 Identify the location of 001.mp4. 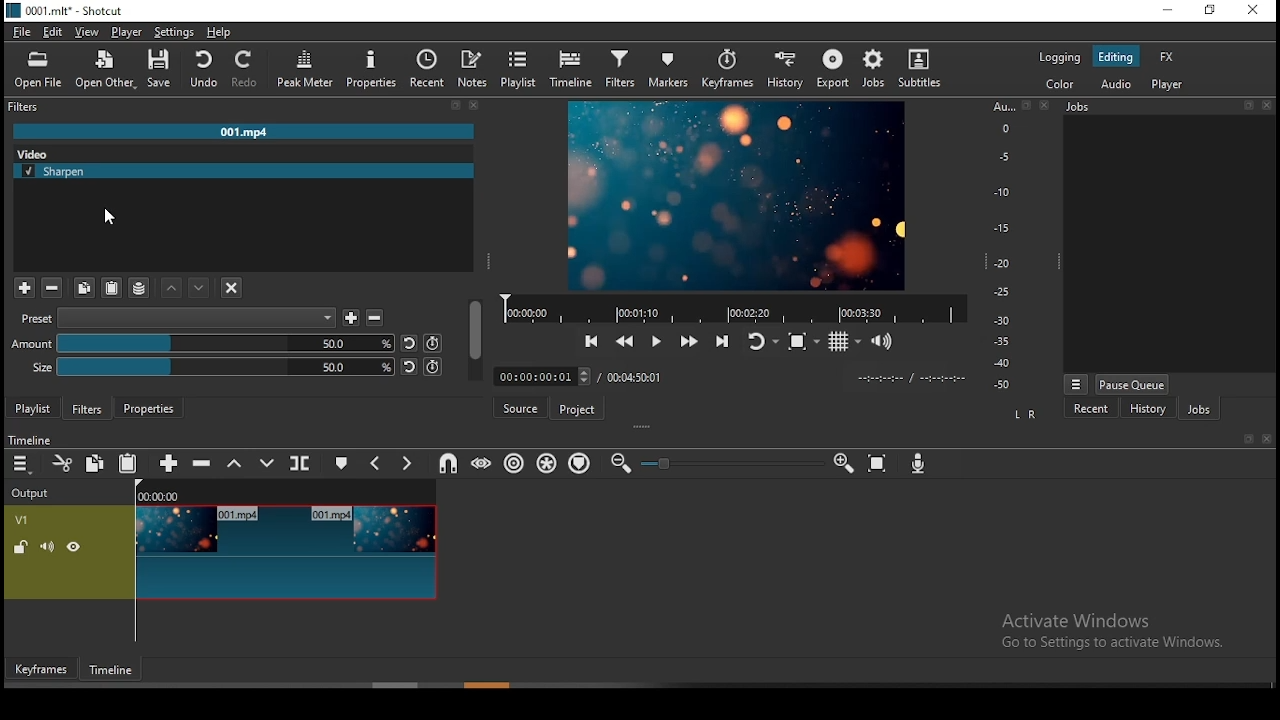
(247, 132).